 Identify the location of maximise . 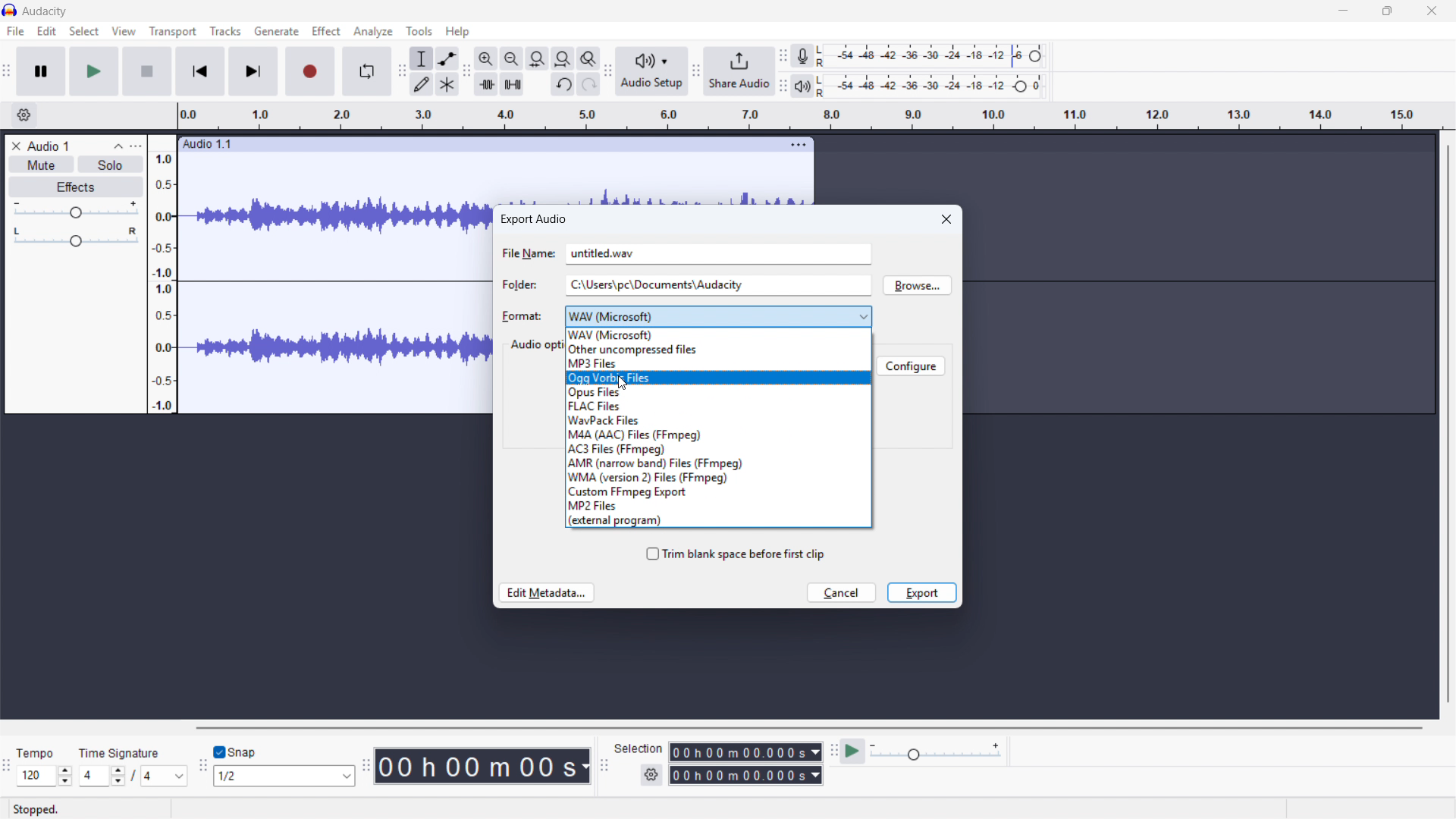
(1388, 11).